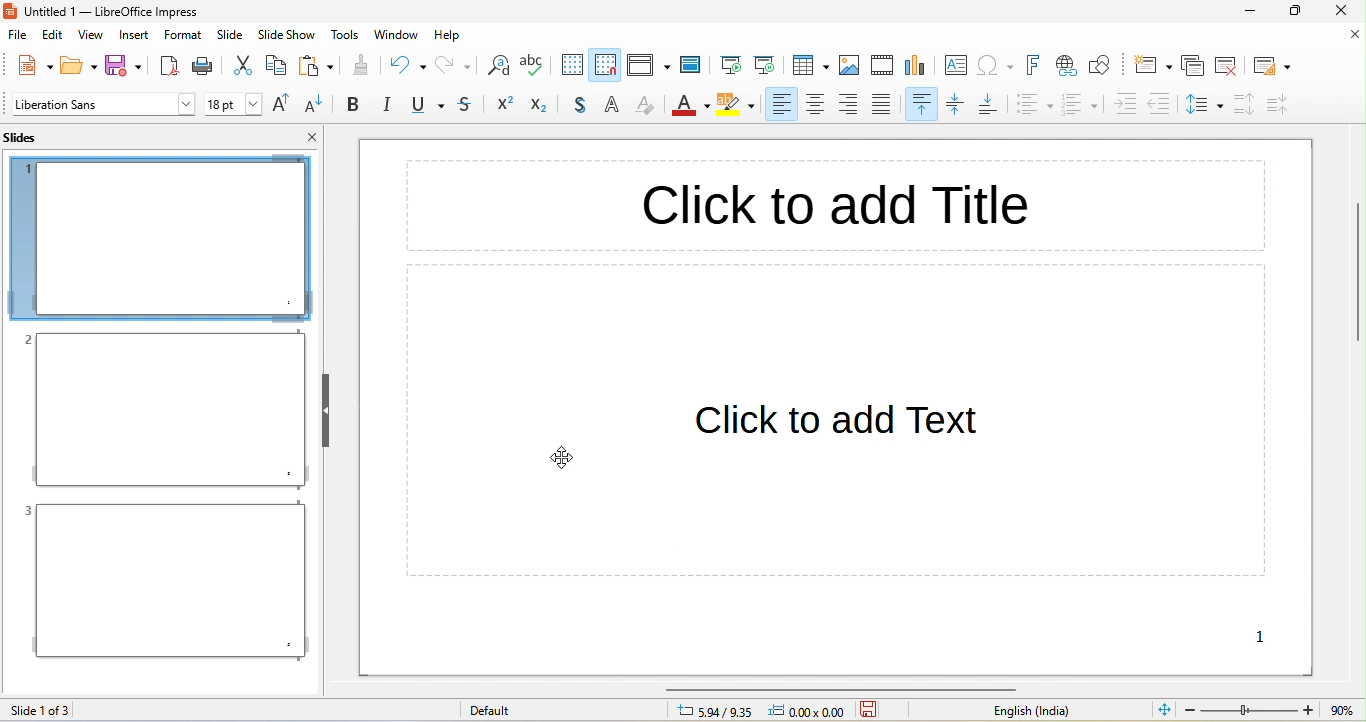 The width and height of the screenshot is (1366, 722). Describe the element at coordinates (19, 37) in the screenshot. I see `file` at that location.